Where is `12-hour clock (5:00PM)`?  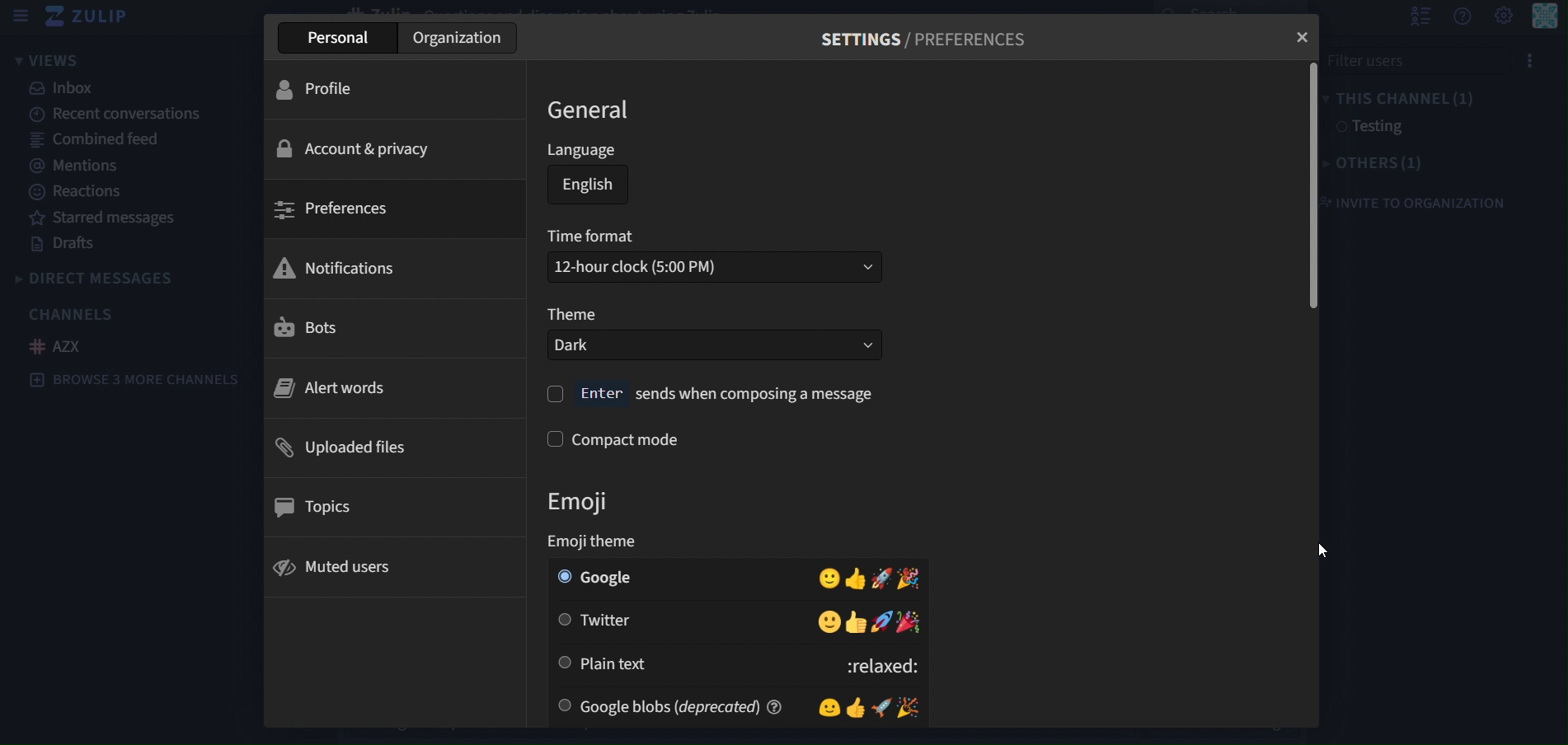
12-hour clock (5:00PM) is located at coordinates (716, 266).